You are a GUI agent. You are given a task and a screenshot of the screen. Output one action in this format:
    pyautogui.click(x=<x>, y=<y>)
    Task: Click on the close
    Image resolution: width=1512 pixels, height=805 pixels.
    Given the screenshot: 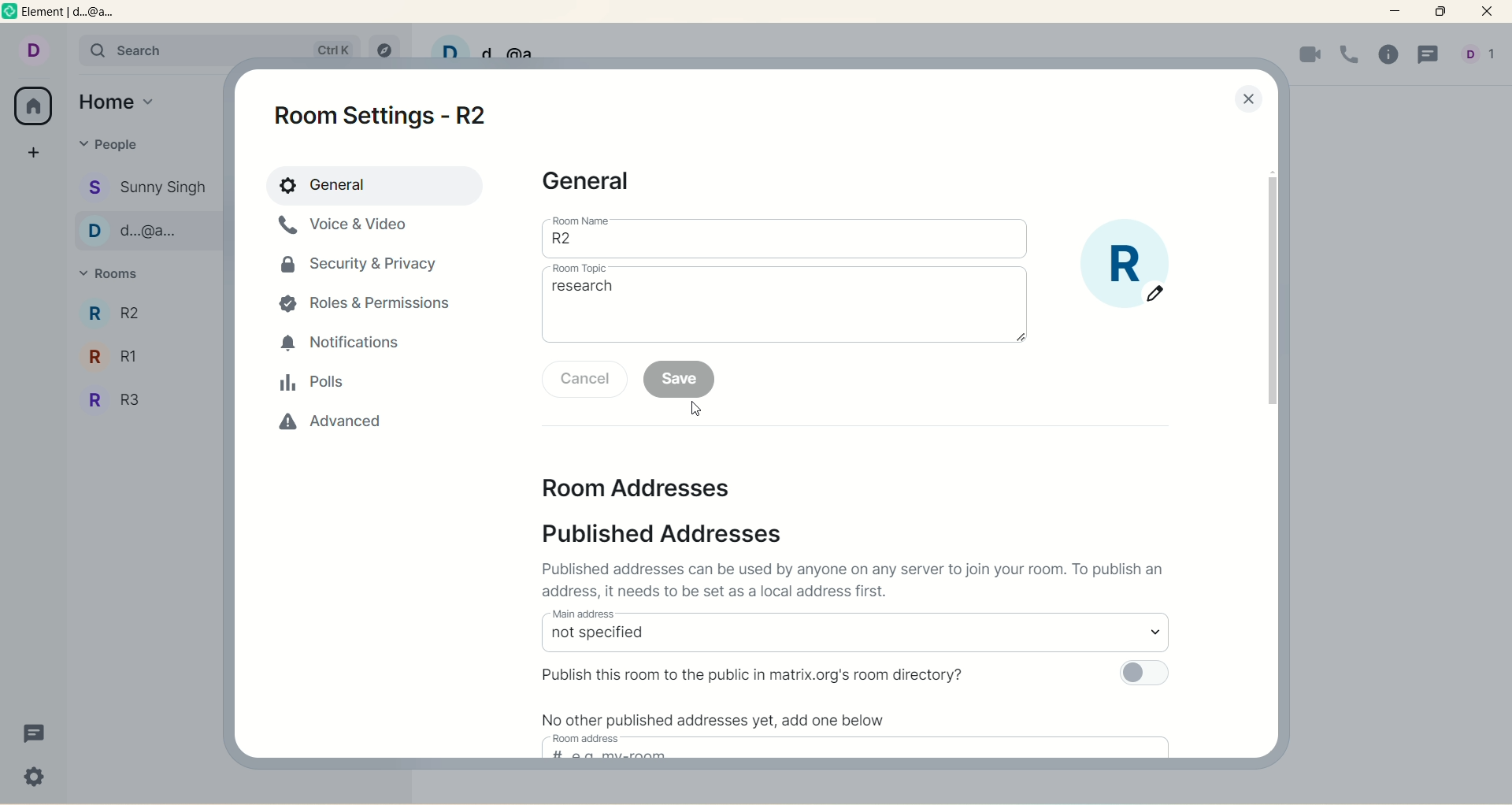 What is the action you would take?
    pyautogui.click(x=1490, y=13)
    